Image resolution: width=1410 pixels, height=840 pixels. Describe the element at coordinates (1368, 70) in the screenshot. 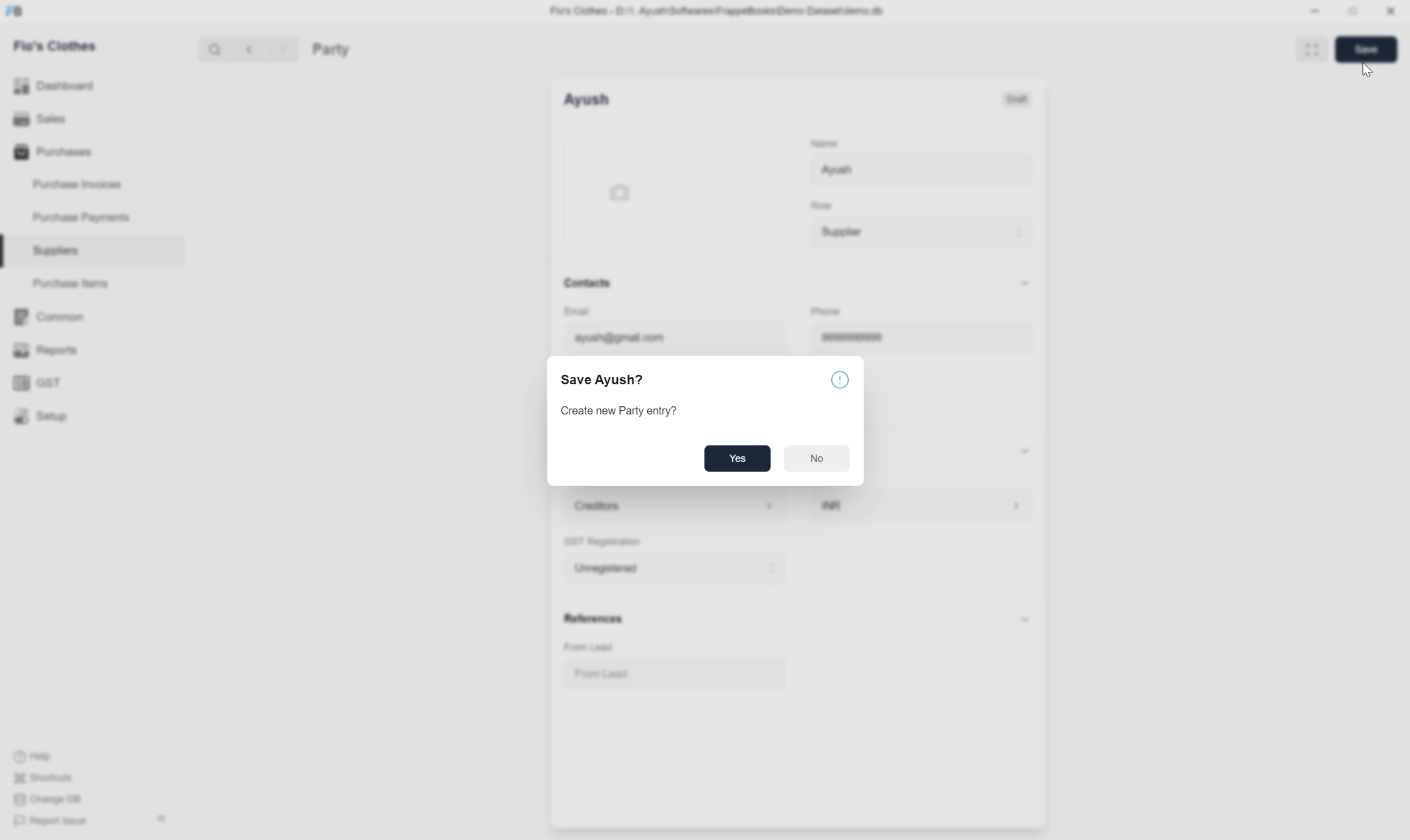

I see `Cursor` at that location.